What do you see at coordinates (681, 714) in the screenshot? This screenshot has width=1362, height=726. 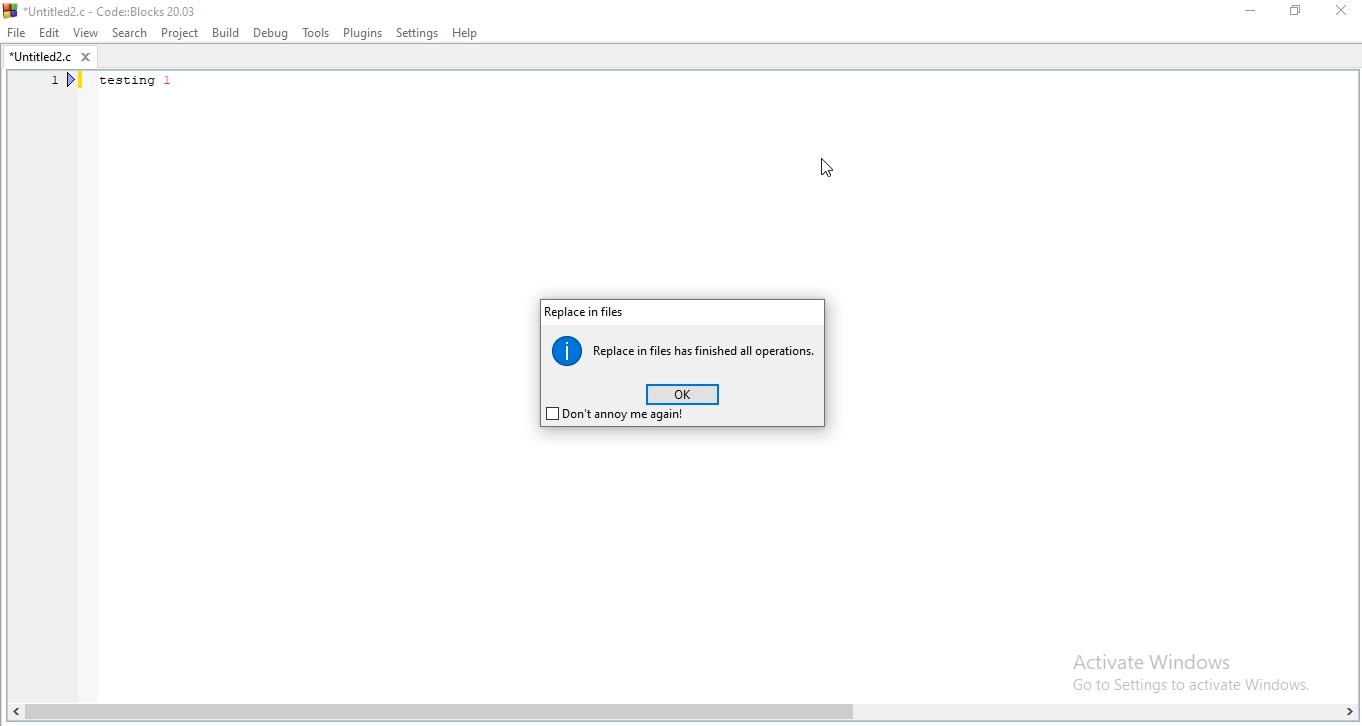 I see `scroll bar` at bounding box center [681, 714].